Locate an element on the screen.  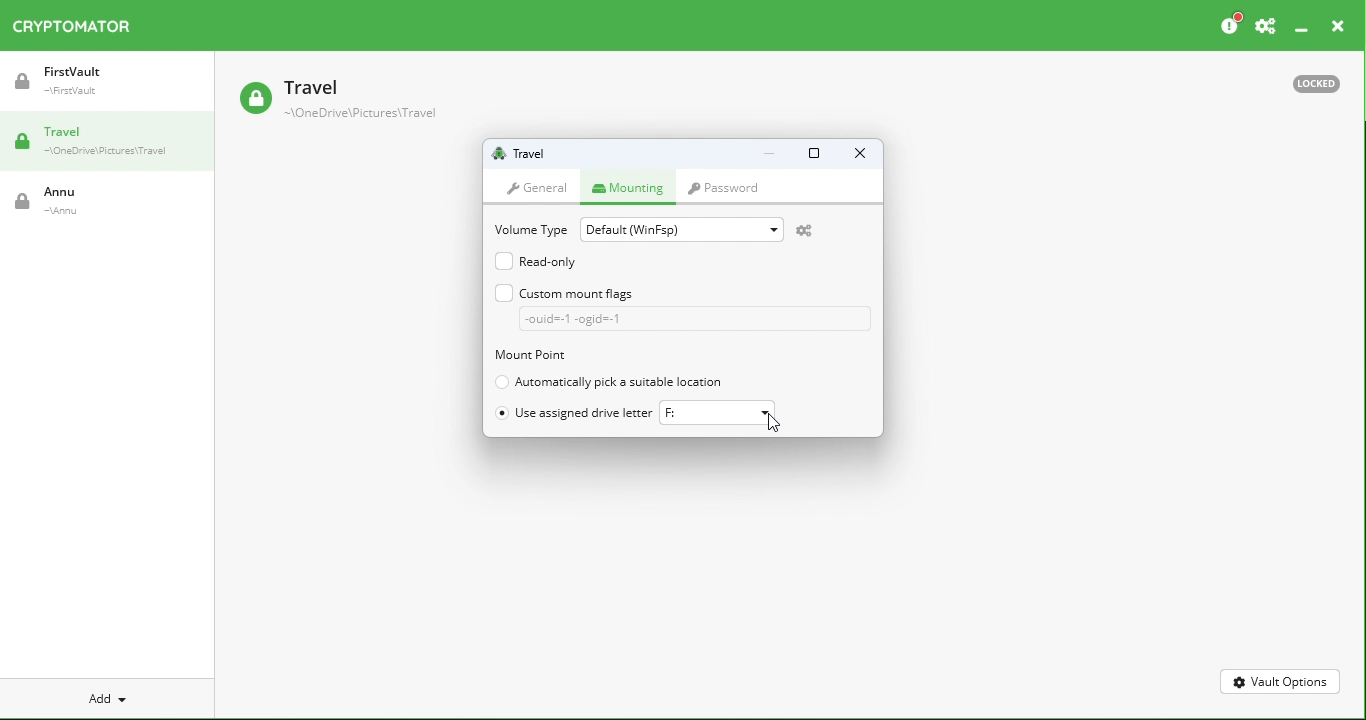
Default(WinFsp) is located at coordinates (684, 228).